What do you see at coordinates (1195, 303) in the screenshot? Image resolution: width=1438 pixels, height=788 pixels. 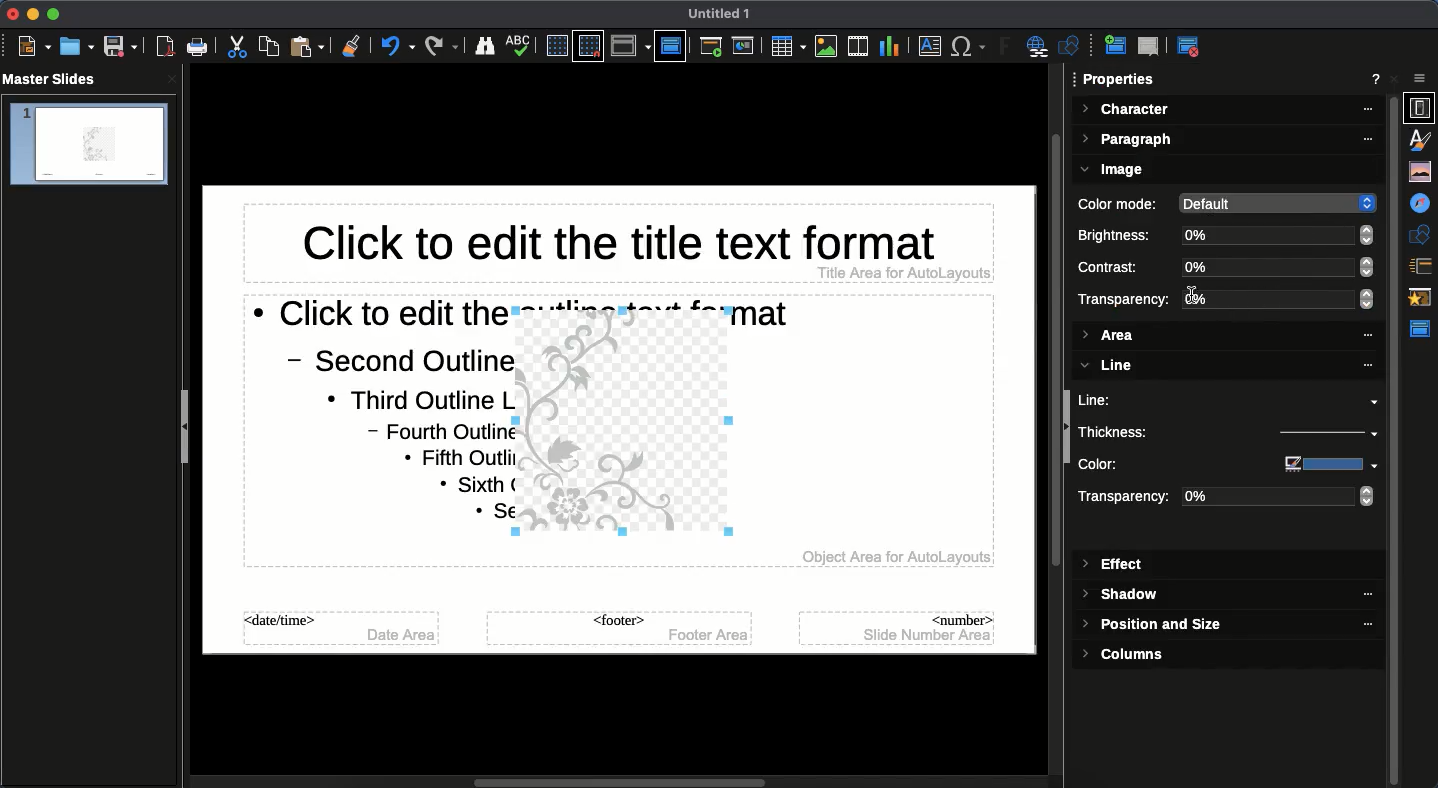 I see `text cursor` at bounding box center [1195, 303].